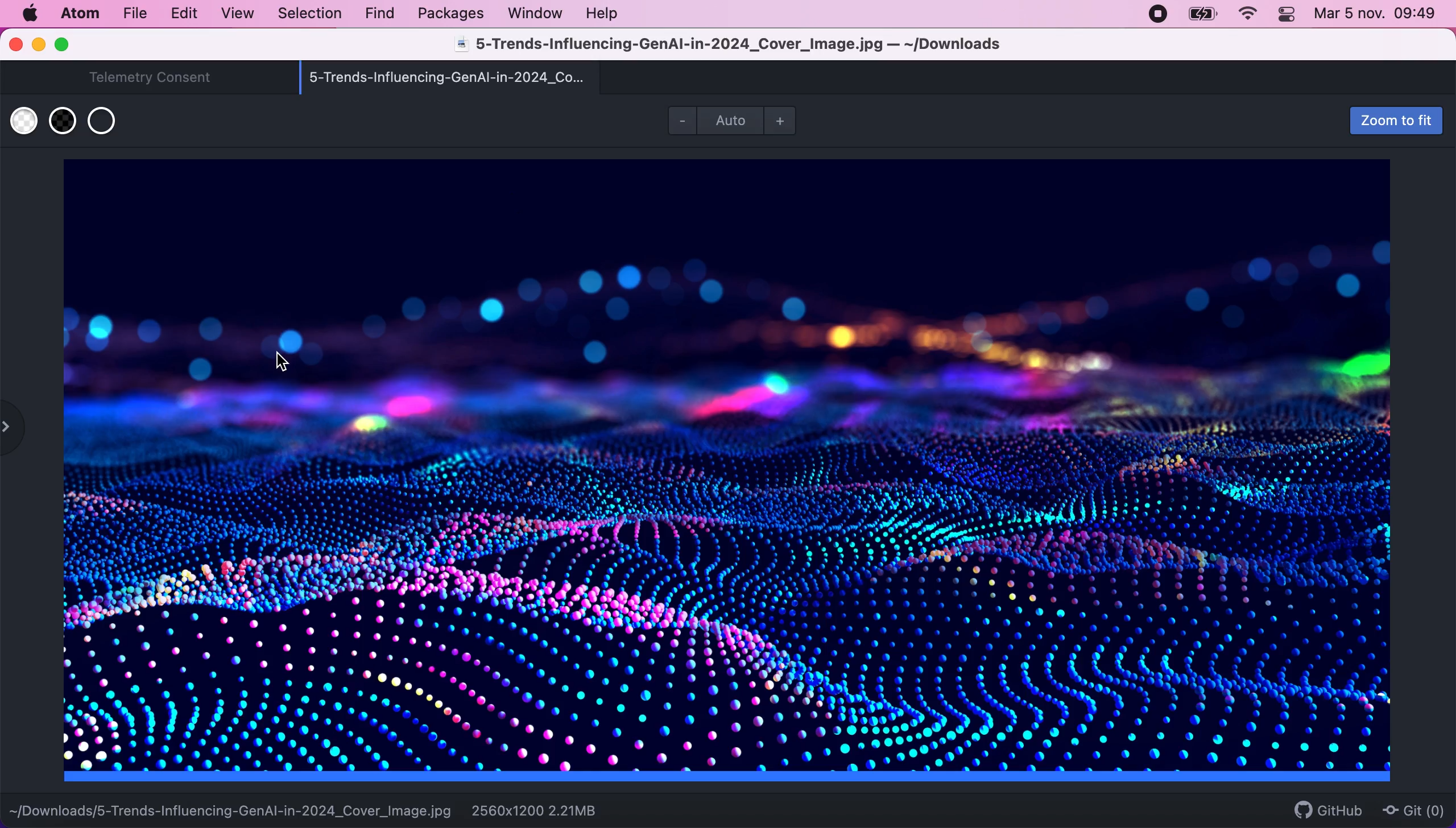 This screenshot has height=828, width=1456. I want to click on window, so click(535, 16).